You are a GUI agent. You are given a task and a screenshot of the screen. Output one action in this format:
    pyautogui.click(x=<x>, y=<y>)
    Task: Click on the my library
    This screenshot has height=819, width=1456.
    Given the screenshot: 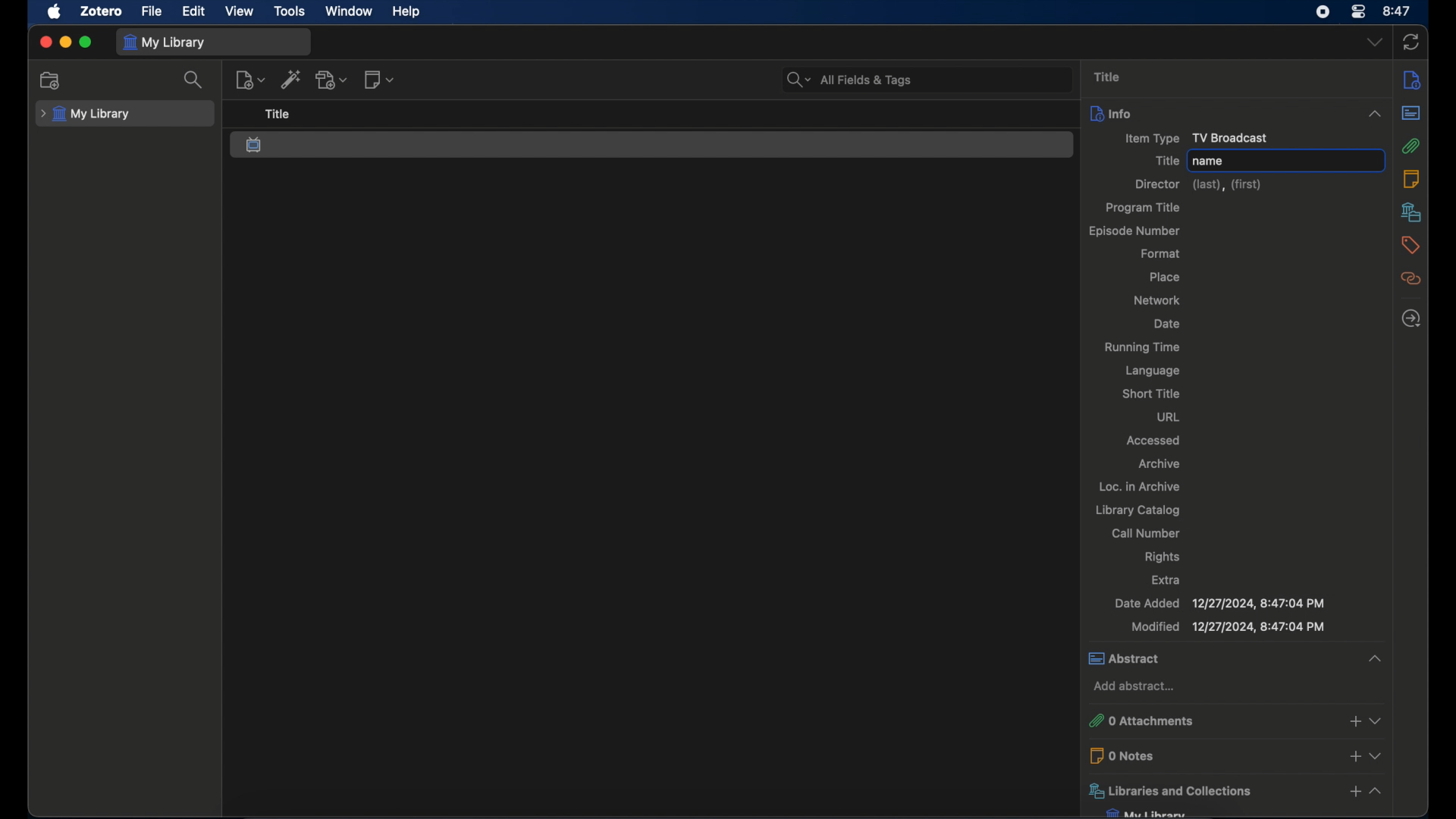 What is the action you would take?
    pyautogui.click(x=165, y=43)
    